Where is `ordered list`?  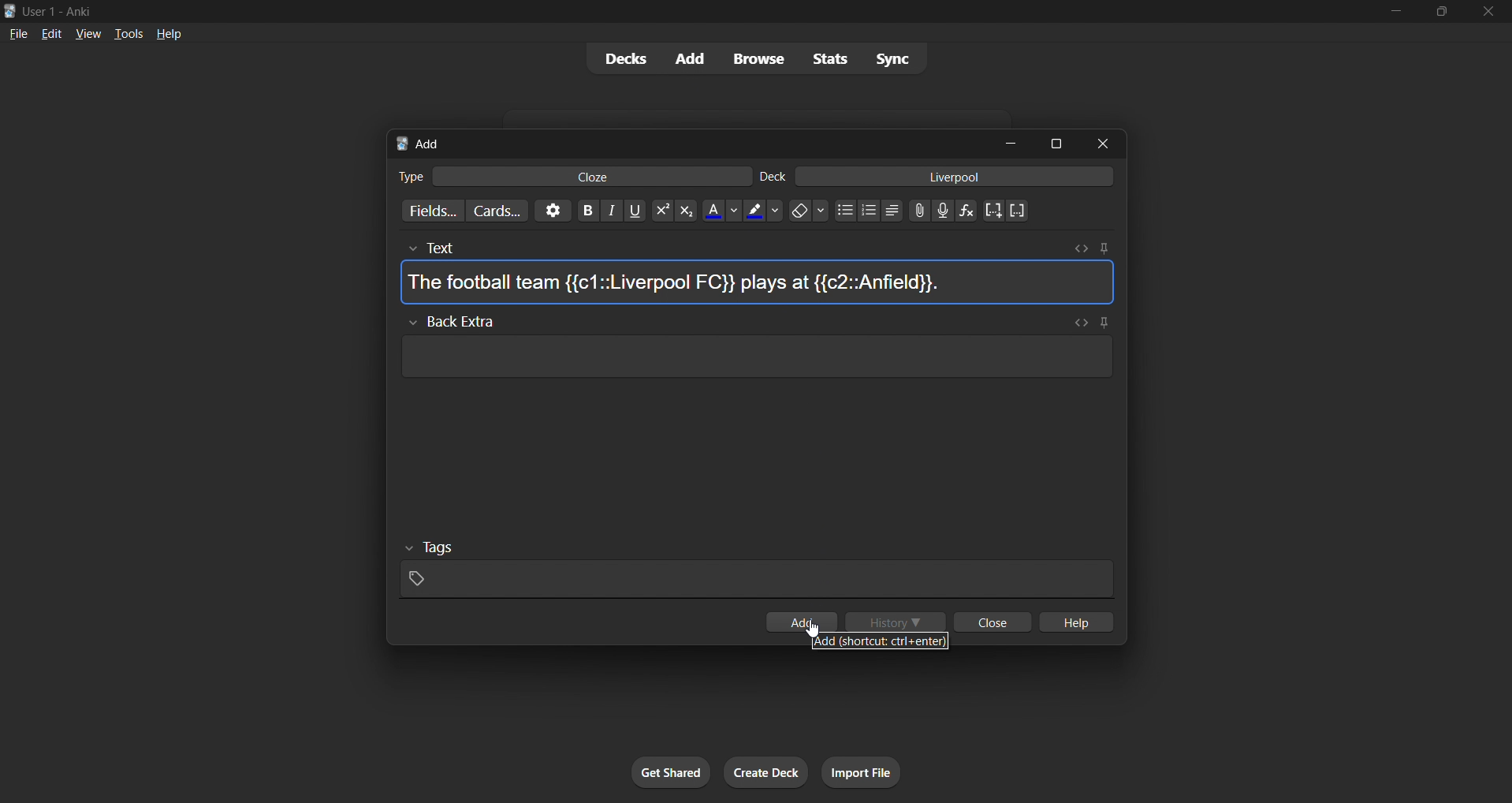 ordered list is located at coordinates (874, 211).